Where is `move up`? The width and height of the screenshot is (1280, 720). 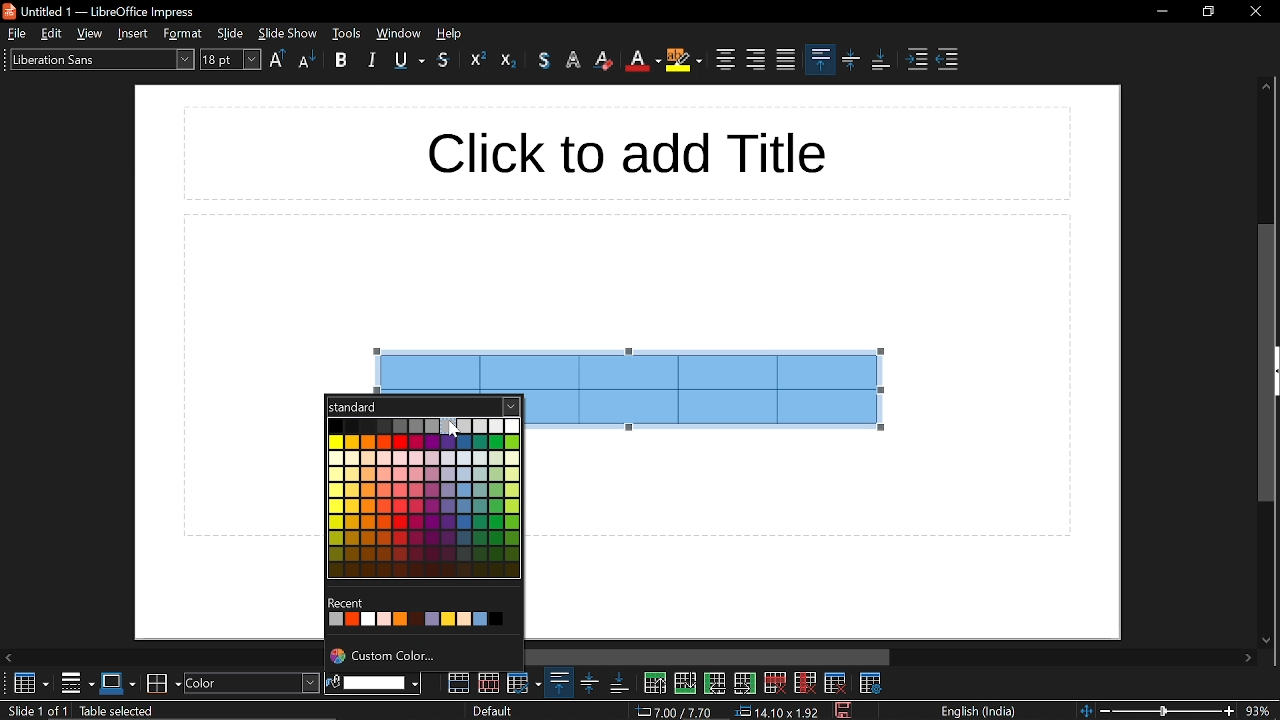 move up is located at coordinates (1266, 86).